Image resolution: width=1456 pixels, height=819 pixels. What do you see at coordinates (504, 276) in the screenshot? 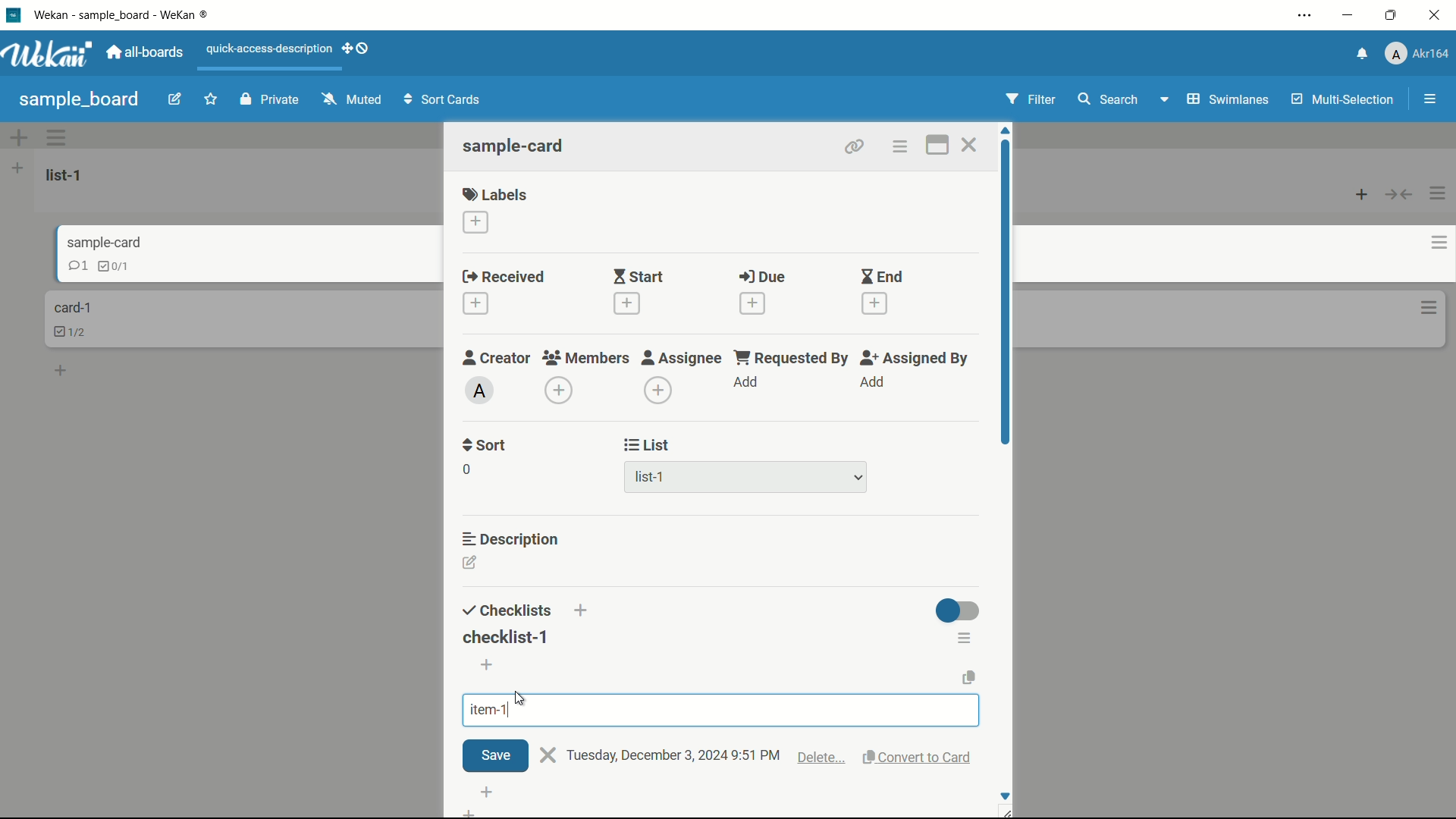
I see `received` at bounding box center [504, 276].